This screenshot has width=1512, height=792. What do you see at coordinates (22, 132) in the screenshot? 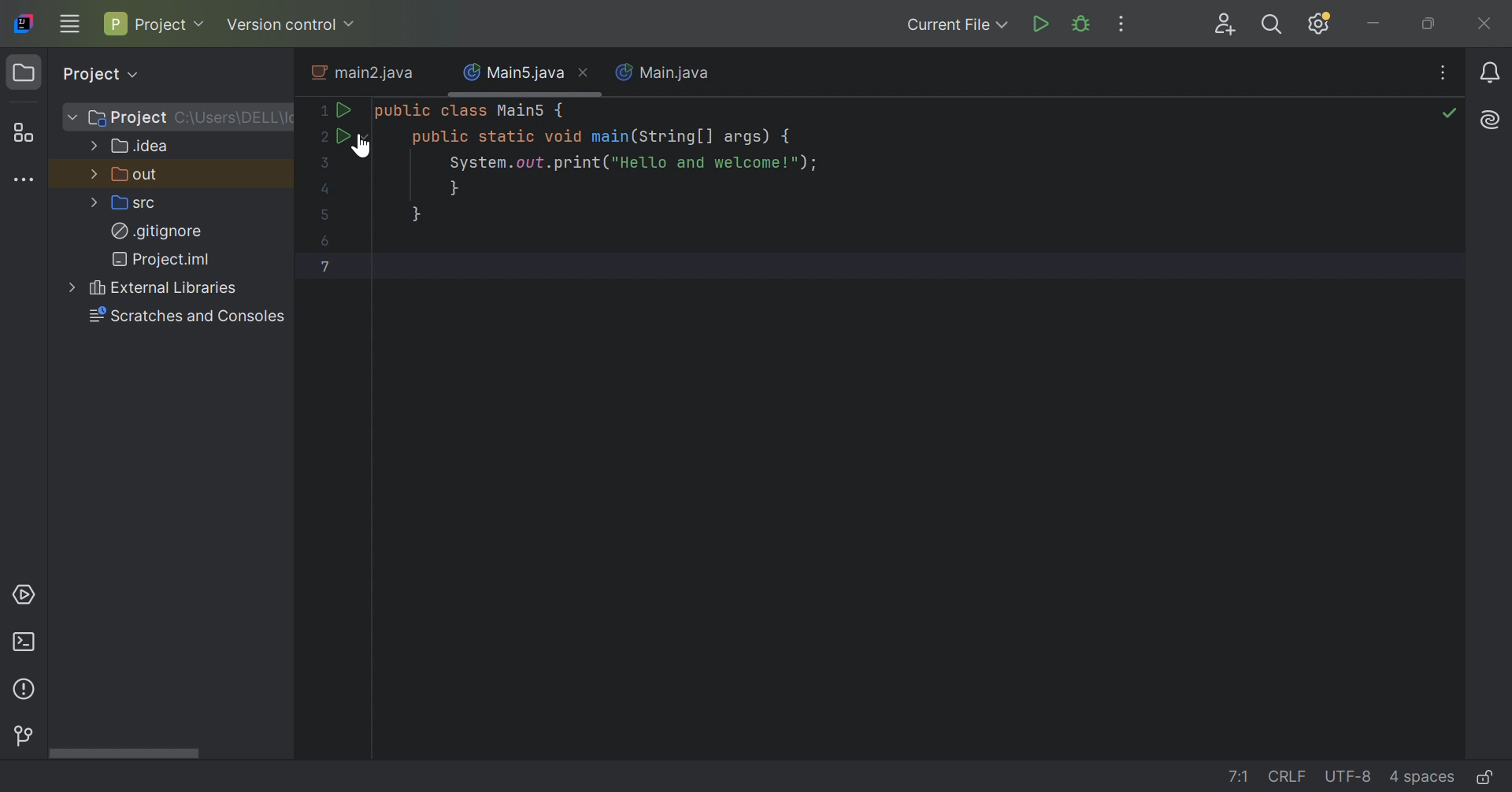
I see `Structure` at bounding box center [22, 132].